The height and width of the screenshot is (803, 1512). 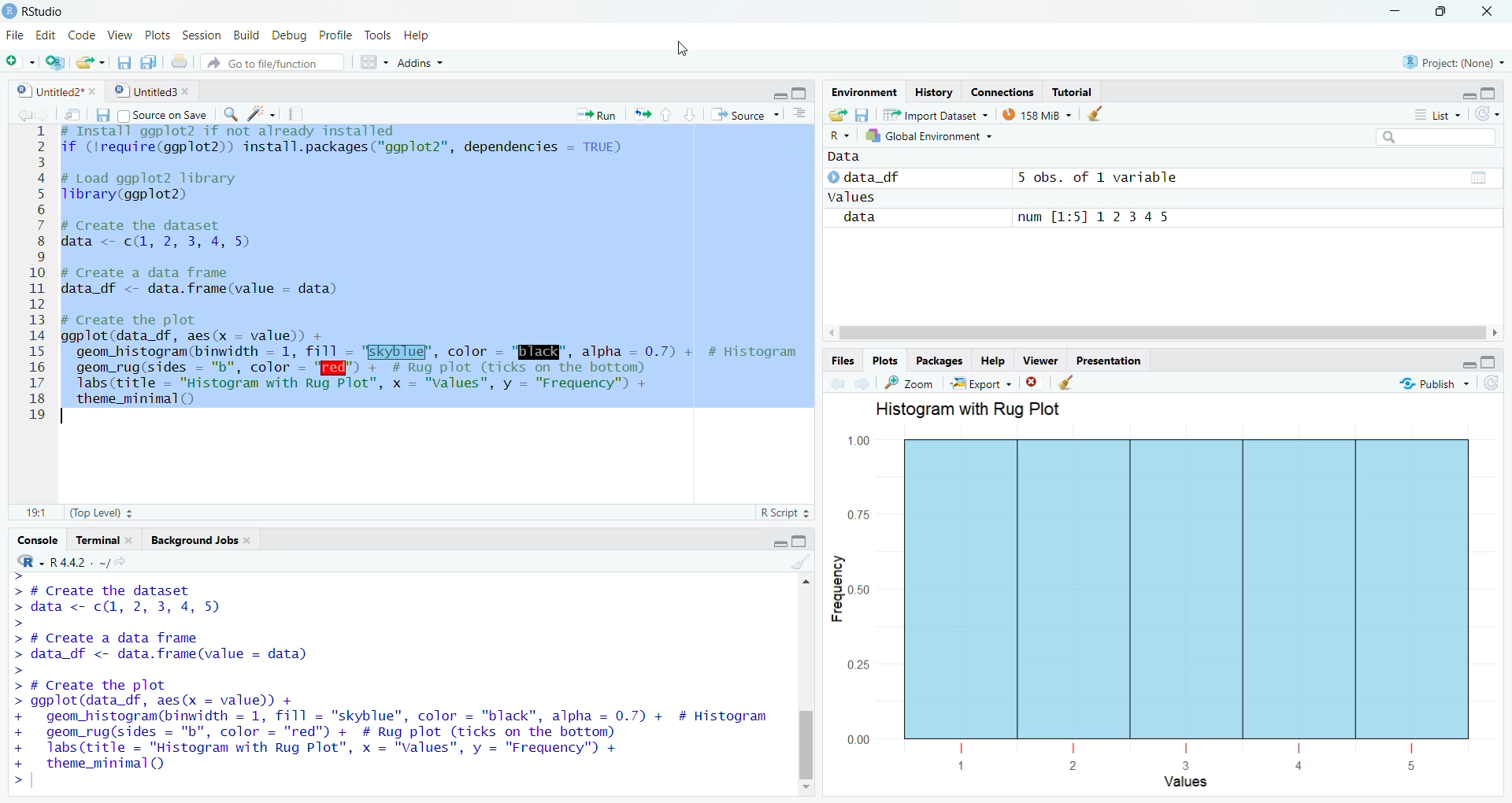 I want to click on down, so click(x=693, y=114).